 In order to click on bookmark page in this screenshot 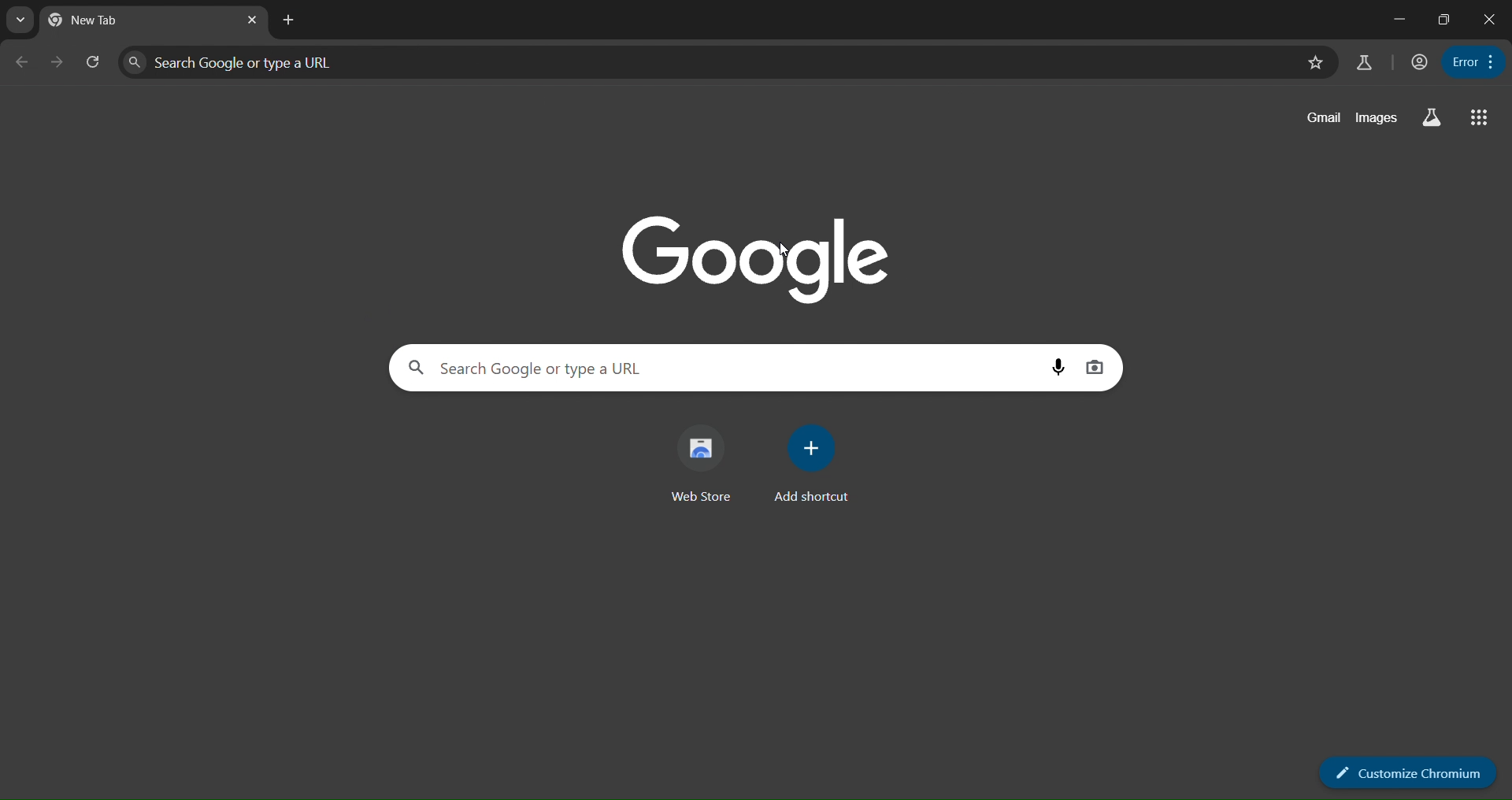, I will do `click(1313, 62)`.